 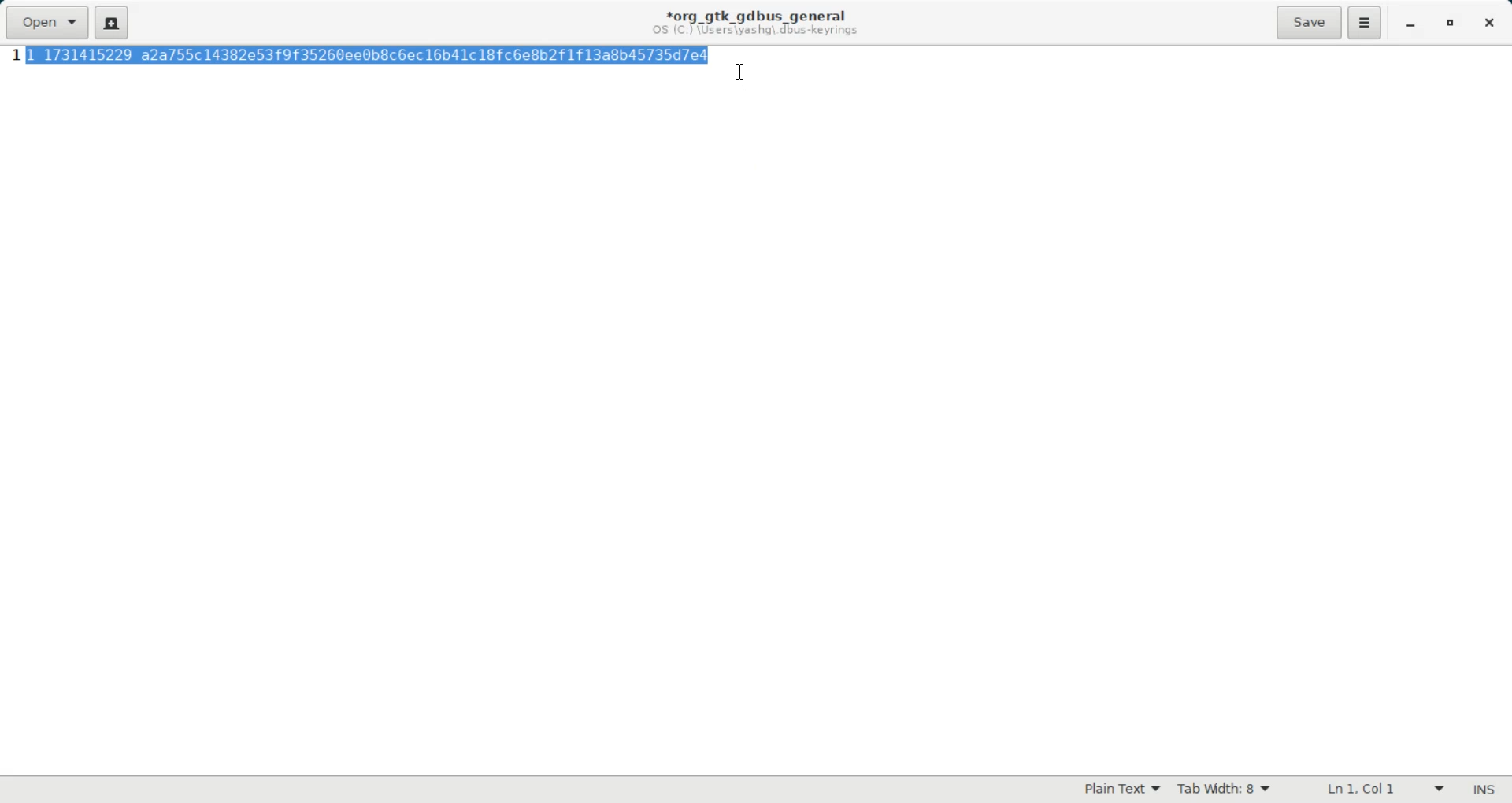 I want to click on Plain Text, so click(x=1122, y=790).